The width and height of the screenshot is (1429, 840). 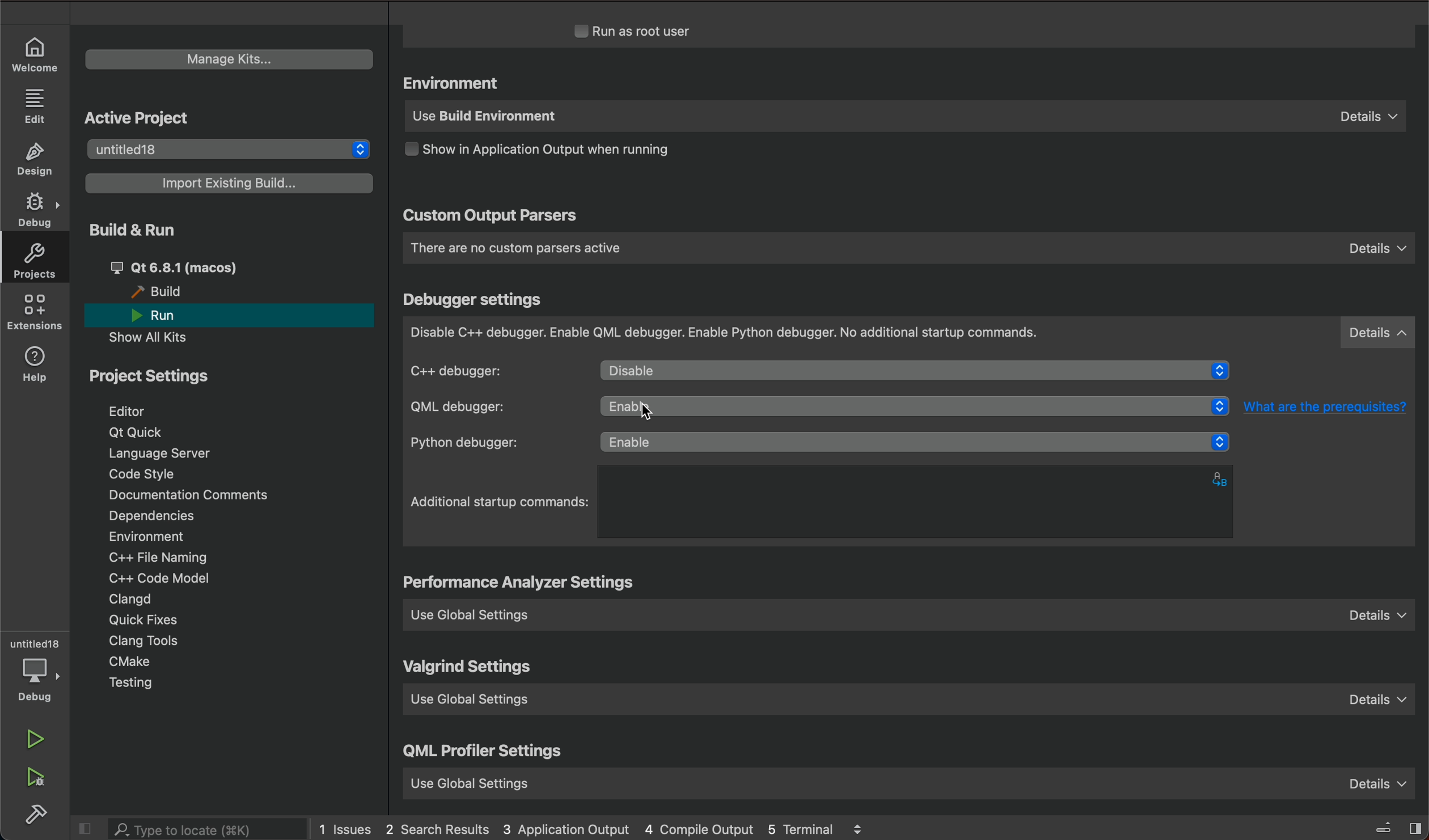 What do you see at coordinates (137, 118) in the screenshot?
I see `active project` at bounding box center [137, 118].